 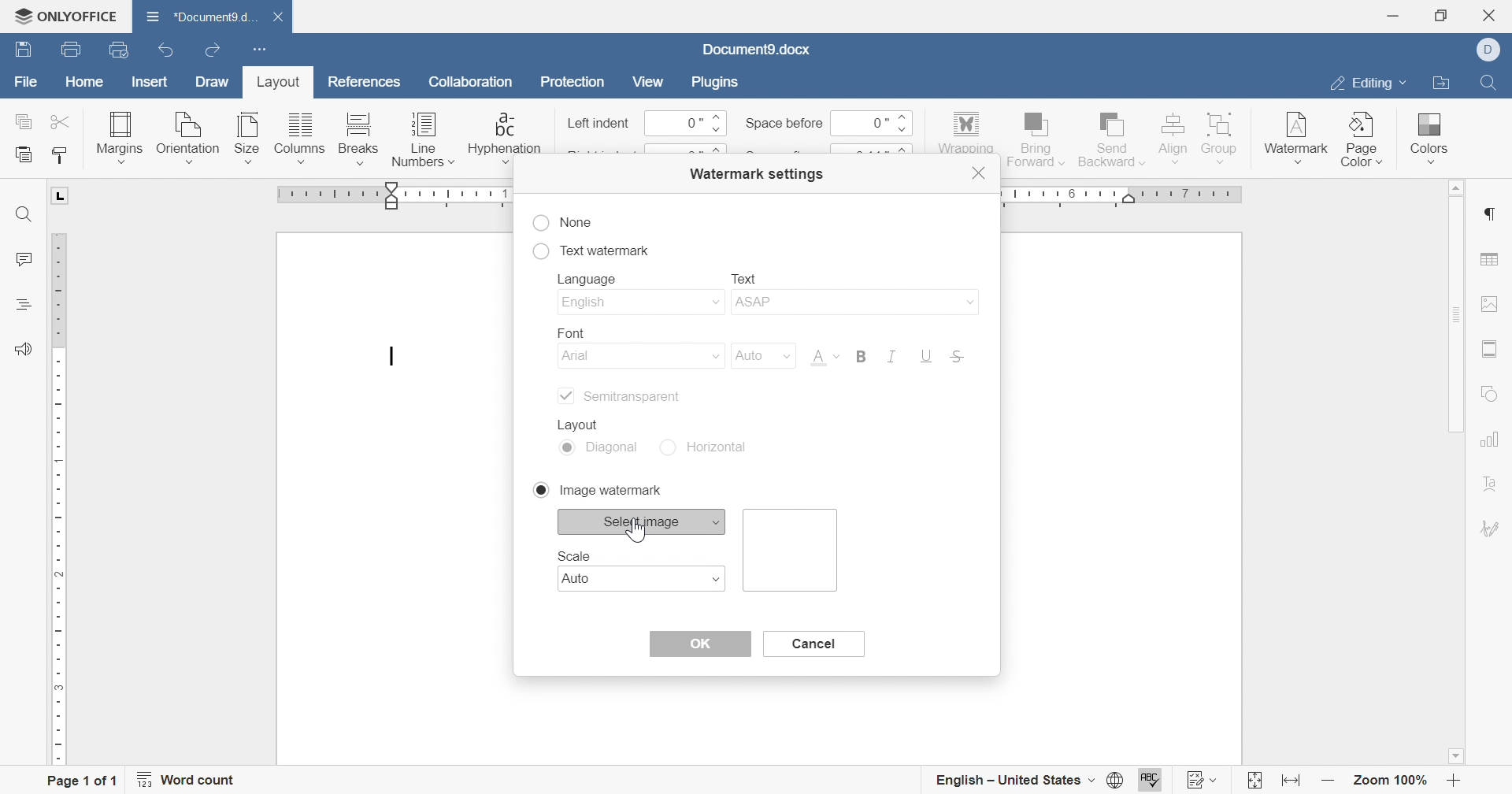 What do you see at coordinates (1253, 783) in the screenshot?
I see `fit to page` at bounding box center [1253, 783].